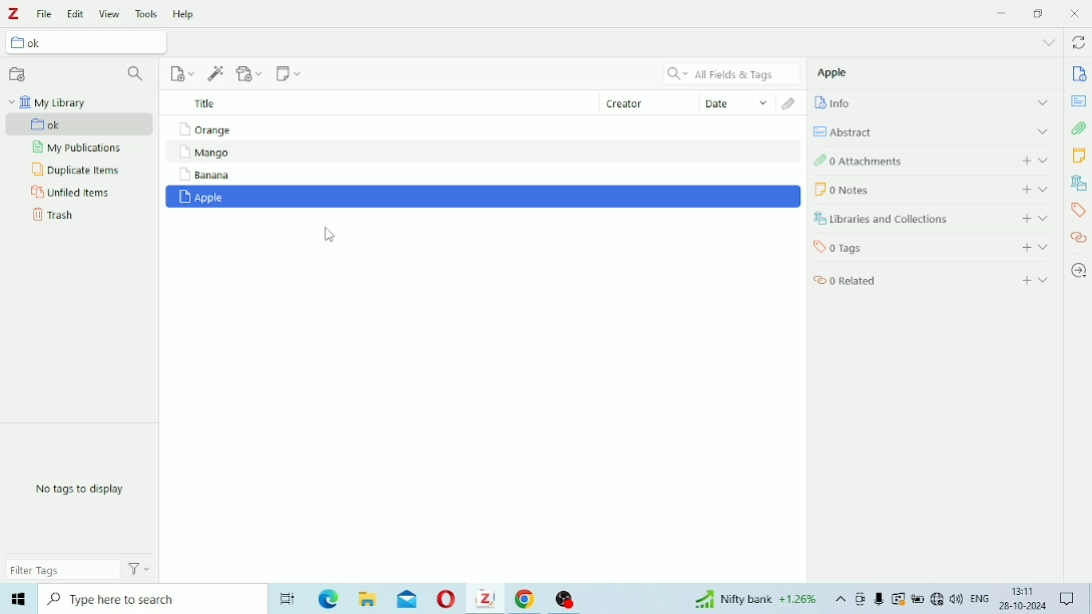  I want to click on Filter connections, so click(136, 74).